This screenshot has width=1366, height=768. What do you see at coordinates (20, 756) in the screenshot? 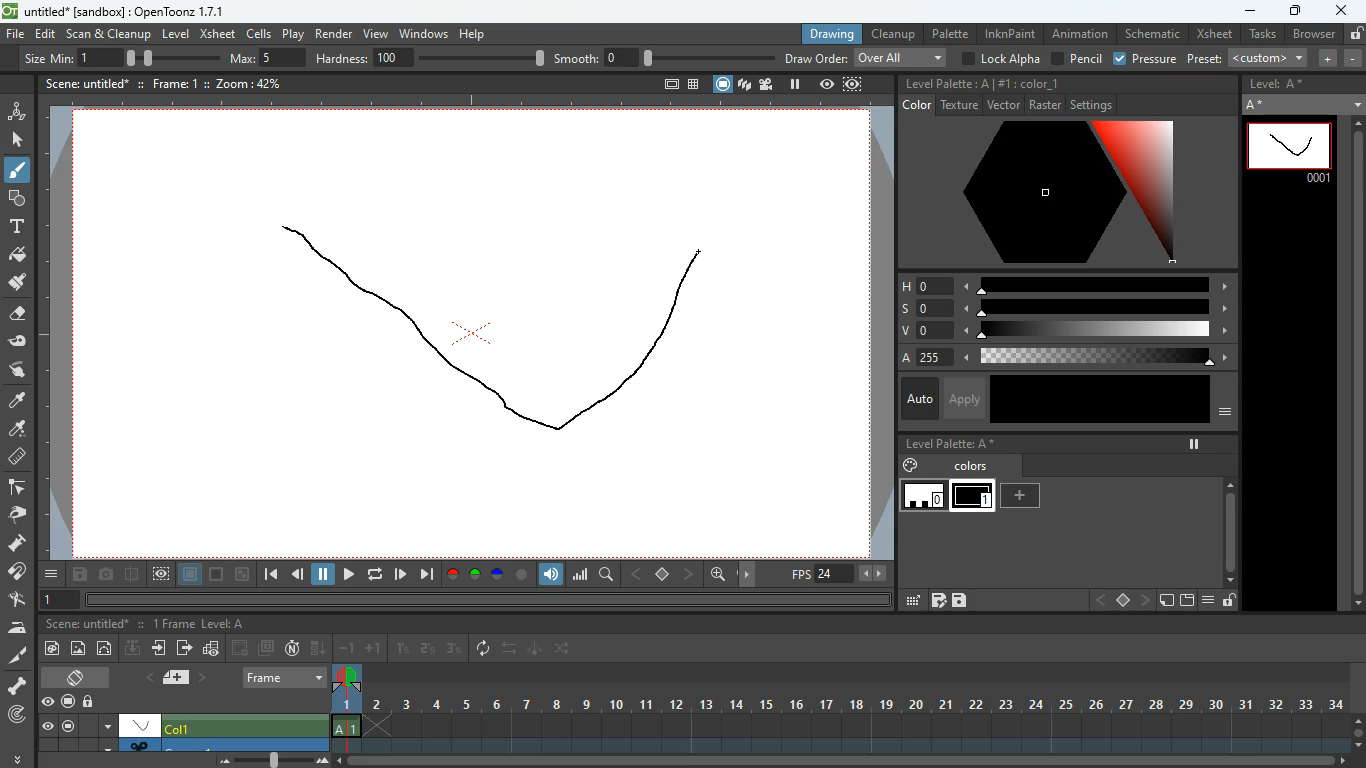
I see `more` at bounding box center [20, 756].